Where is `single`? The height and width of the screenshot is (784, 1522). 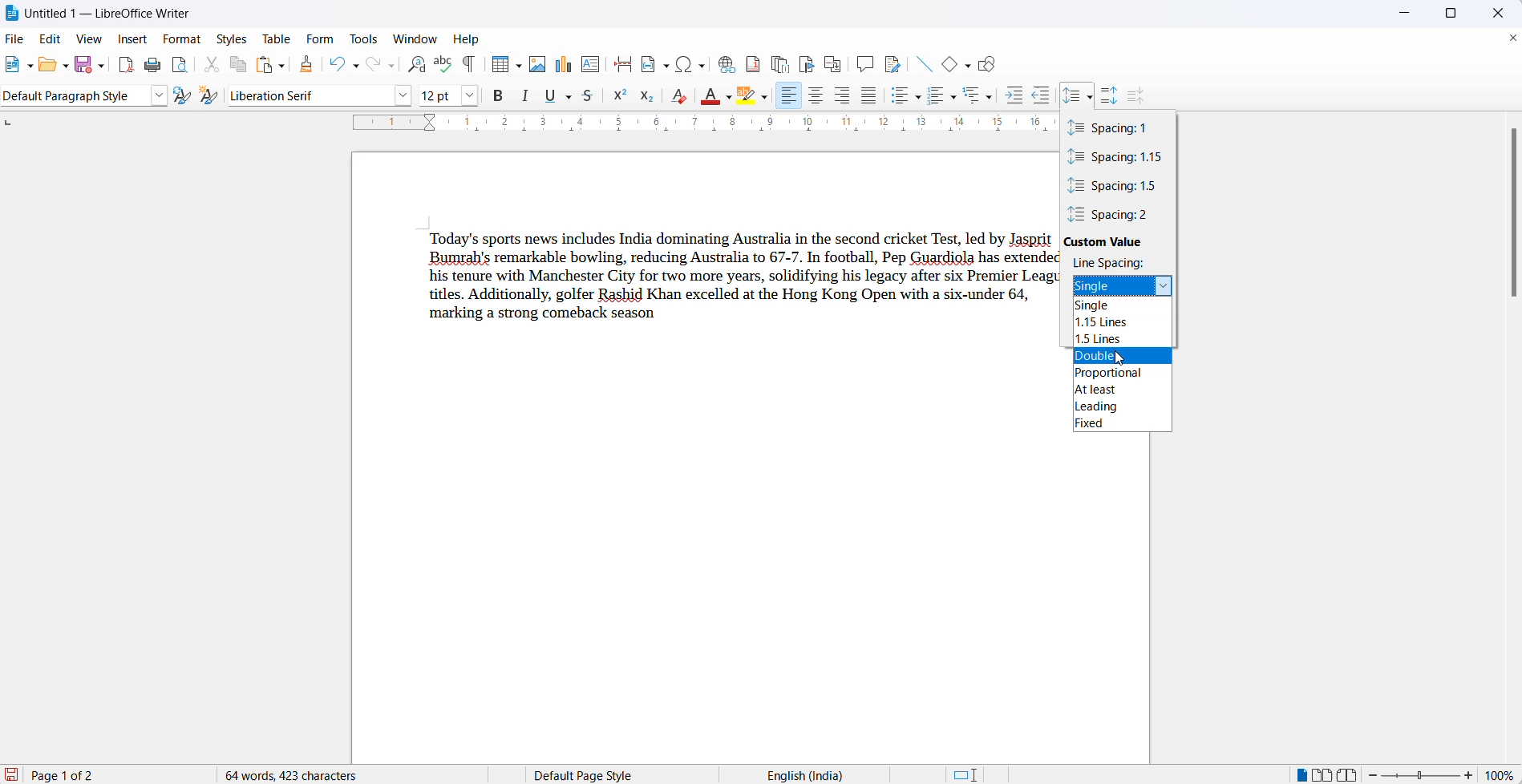
single is located at coordinates (1120, 307).